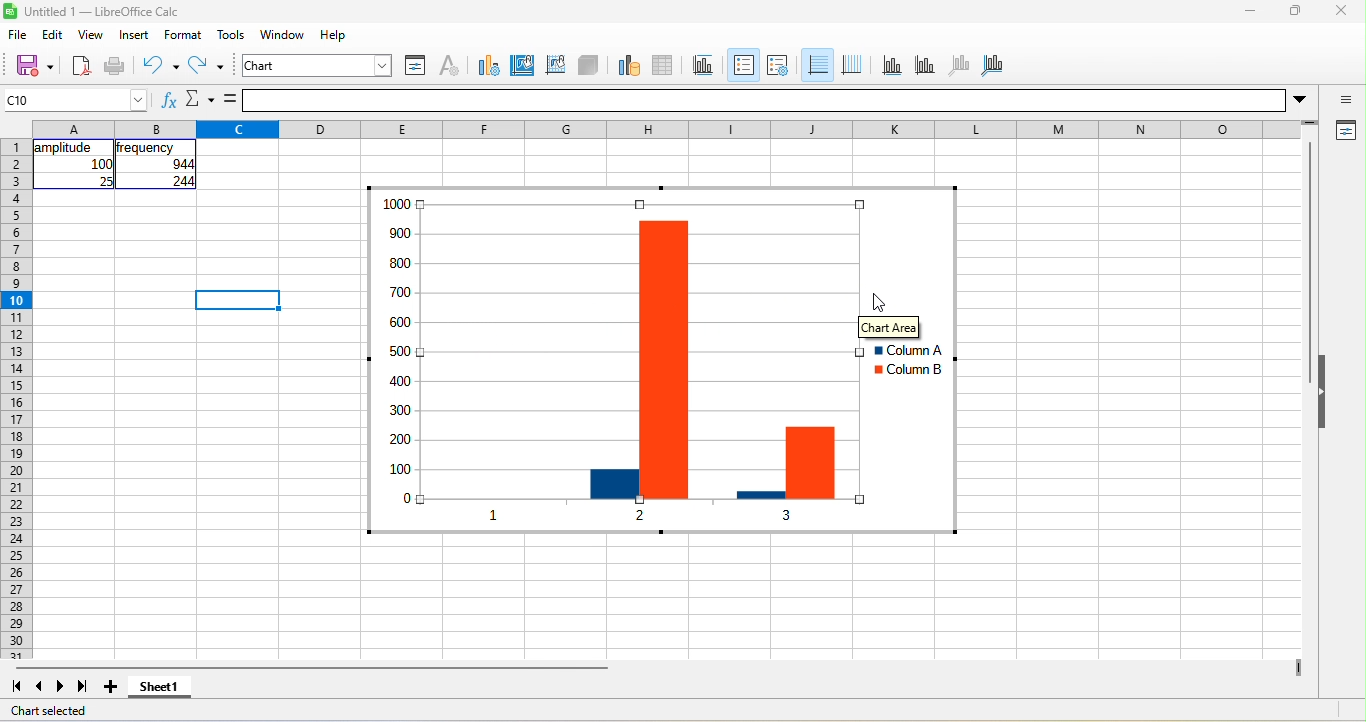 The image size is (1366, 722). I want to click on chart wall, so click(555, 63).